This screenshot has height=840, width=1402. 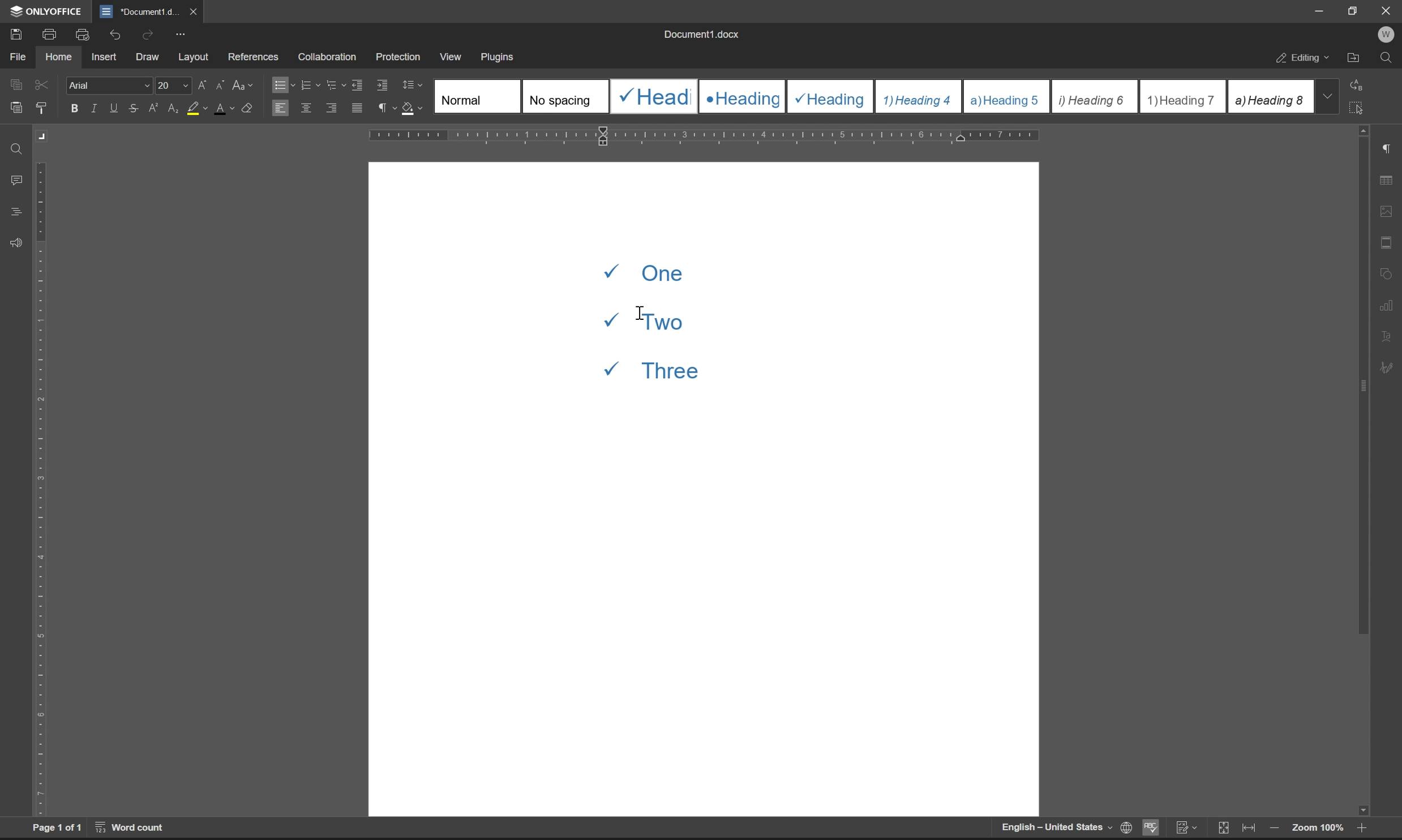 What do you see at coordinates (1386, 149) in the screenshot?
I see `paragraph settings` at bounding box center [1386, 149].